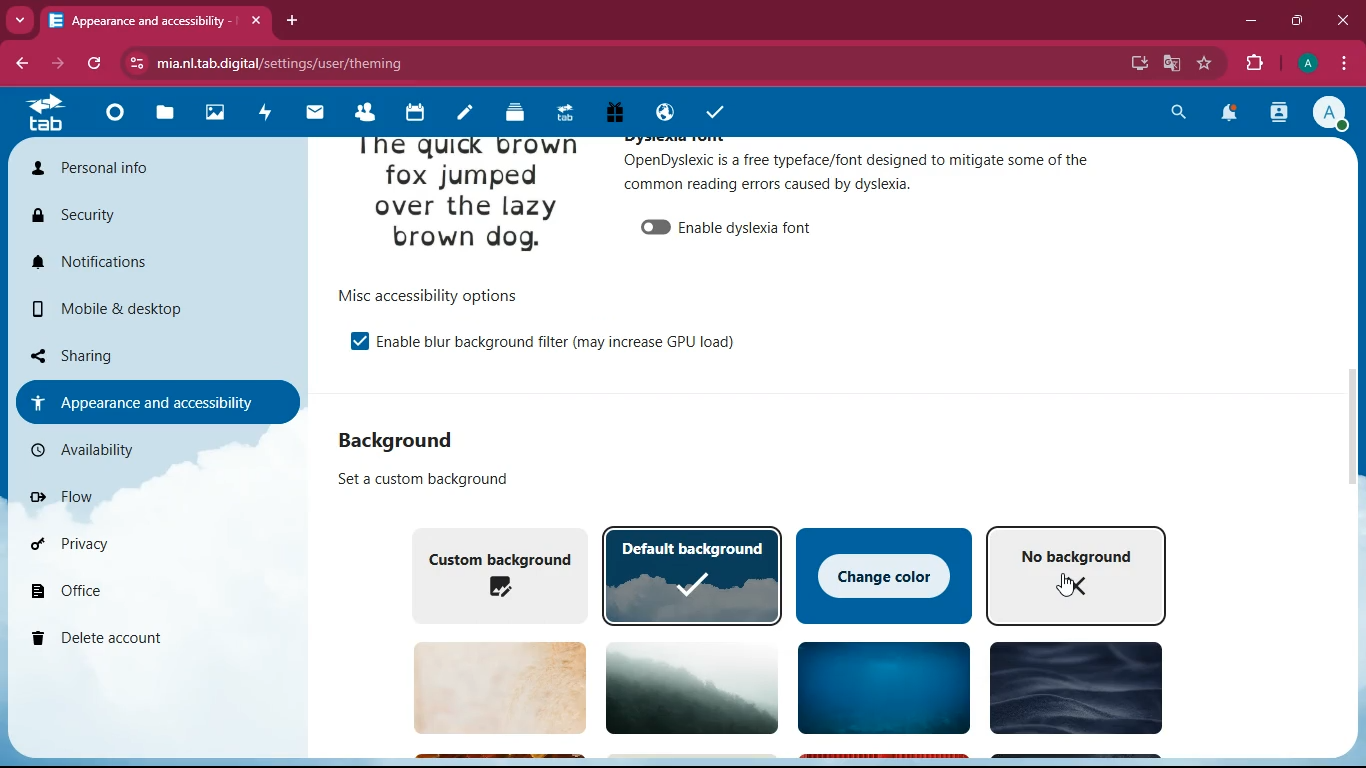  What do you see at coordinates (160, 115) in the screenshot?
I see `files` at bounding box center [160, 115].